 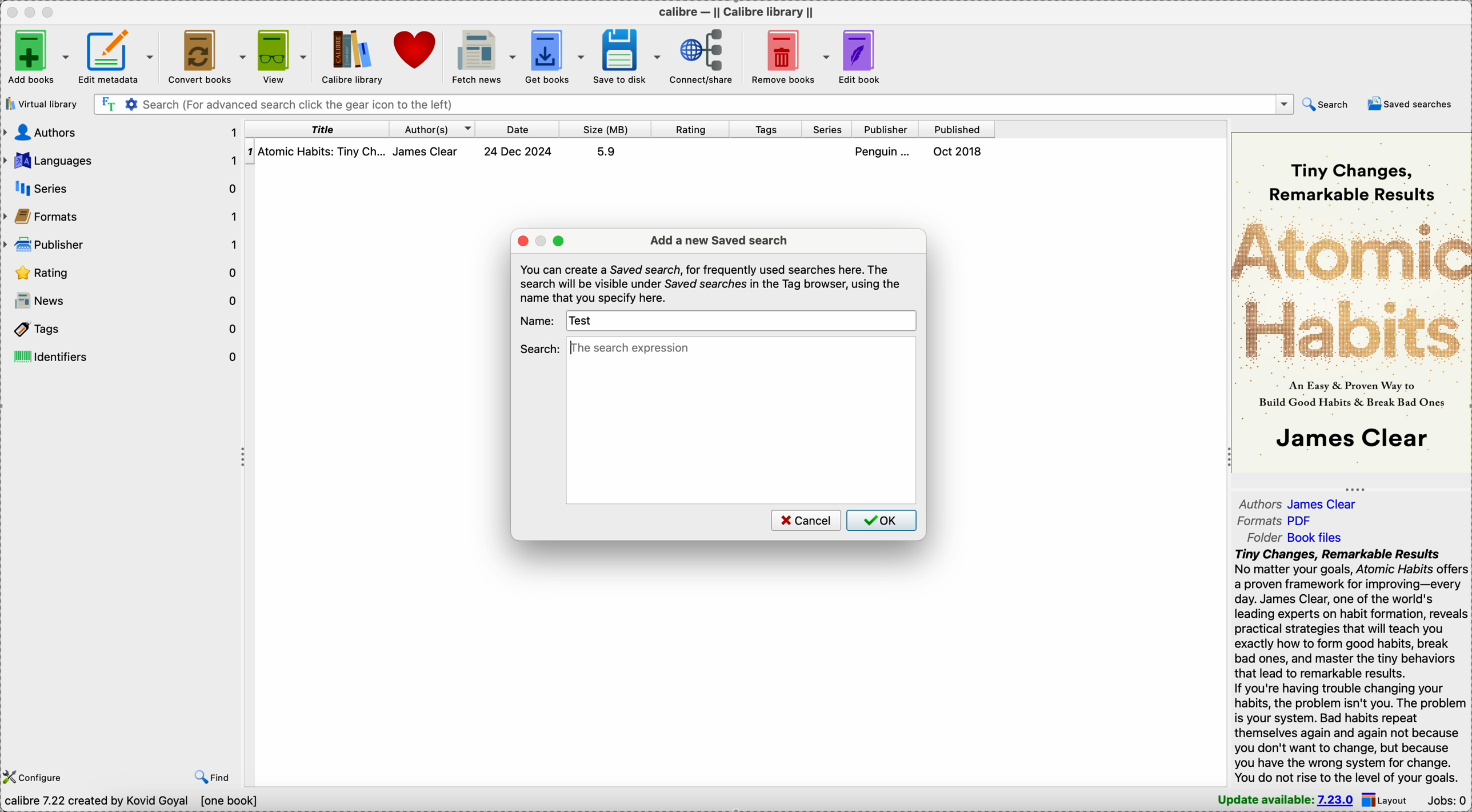 What do you see at coordinates (323, 152) in the screenshot?
I see `atomic habits: Tiny changes, remarkable results` at bounding box center [323, 152].